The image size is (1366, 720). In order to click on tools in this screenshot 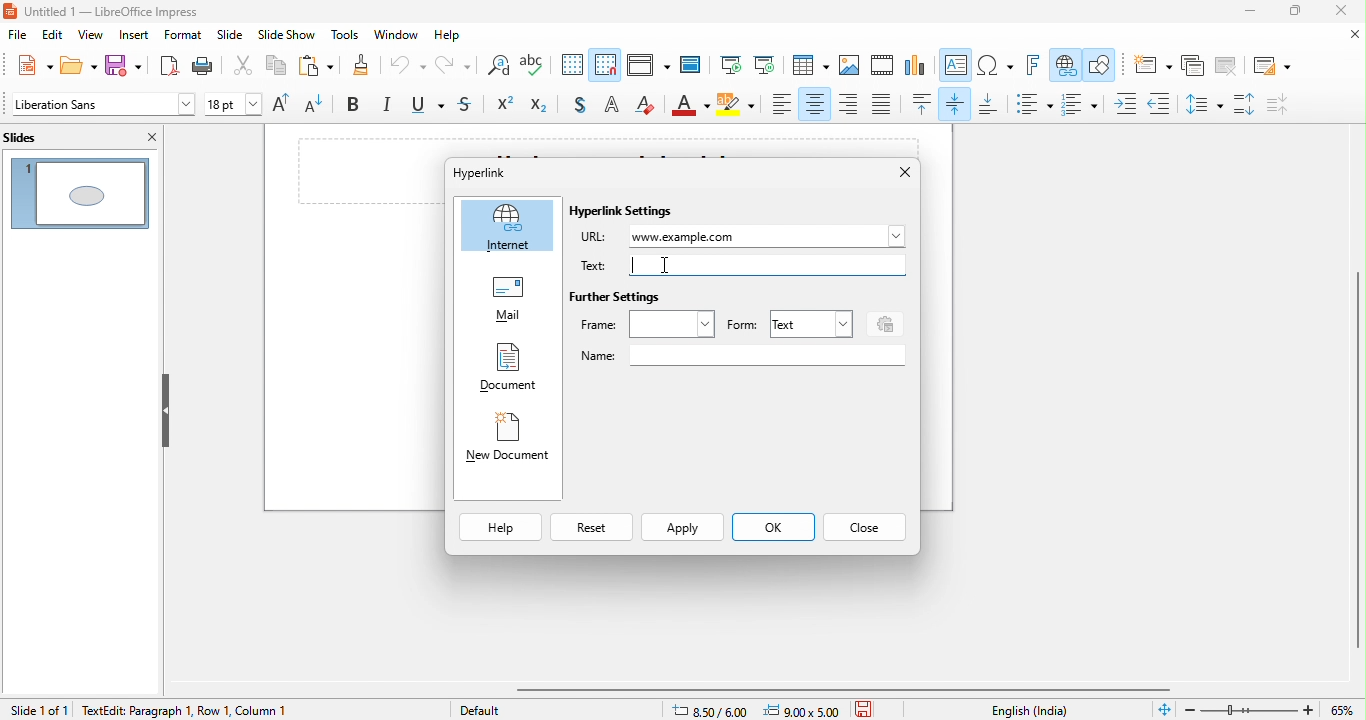, I will do `click(343, 36)`.